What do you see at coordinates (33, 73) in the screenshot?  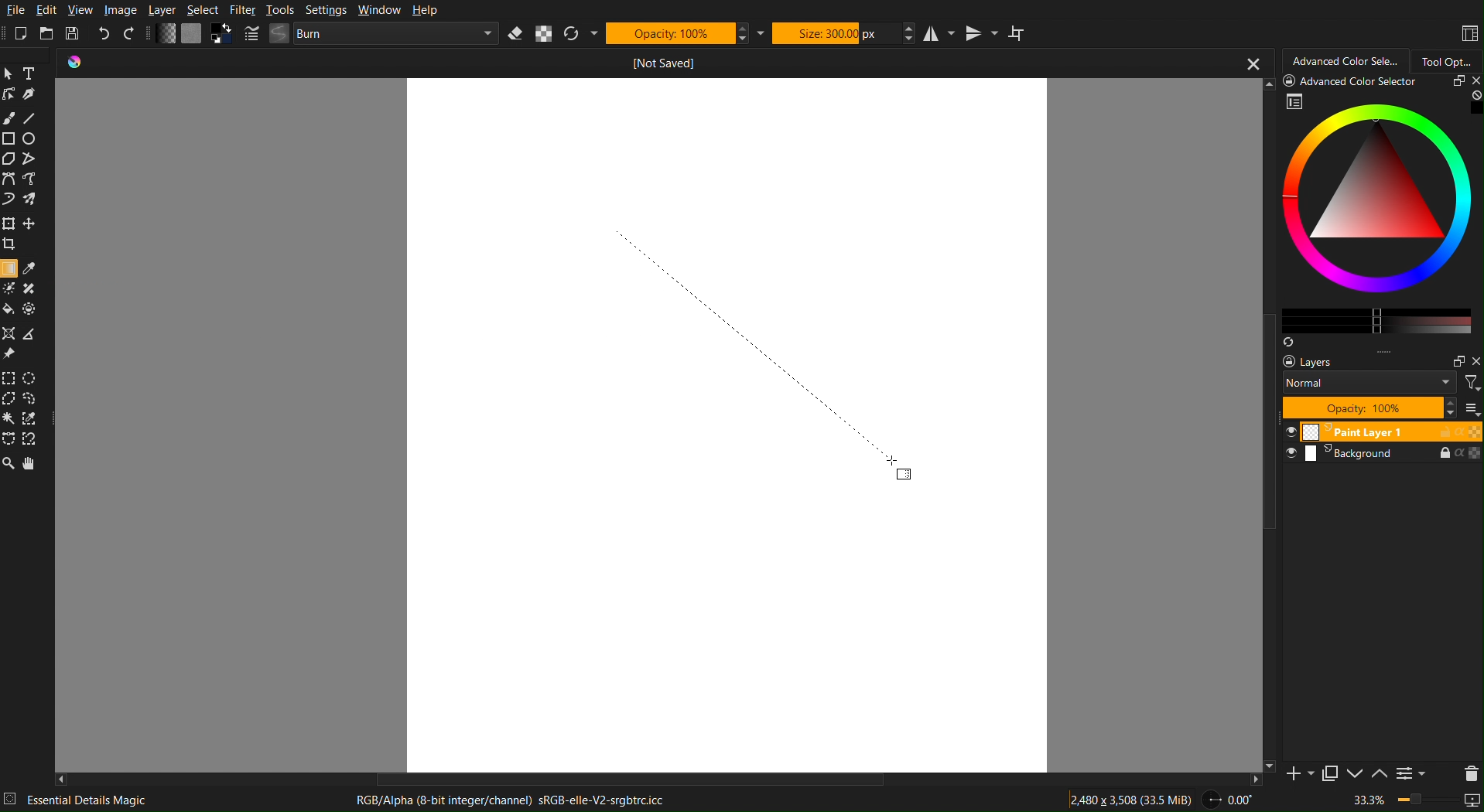 I see `Text` at bounding box center [33, 73].